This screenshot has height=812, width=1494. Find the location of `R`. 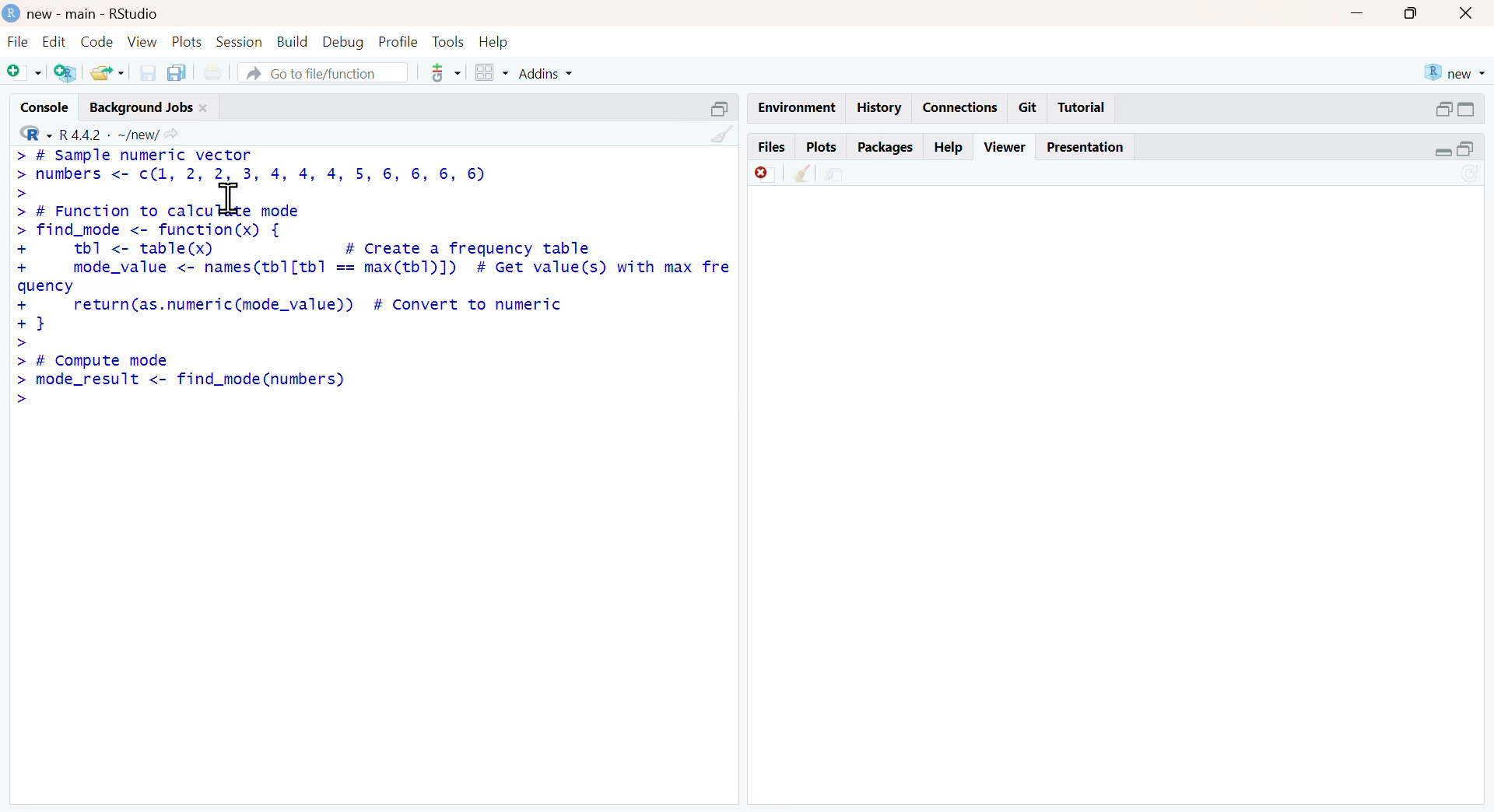

R is located at coordinates (36, 134).